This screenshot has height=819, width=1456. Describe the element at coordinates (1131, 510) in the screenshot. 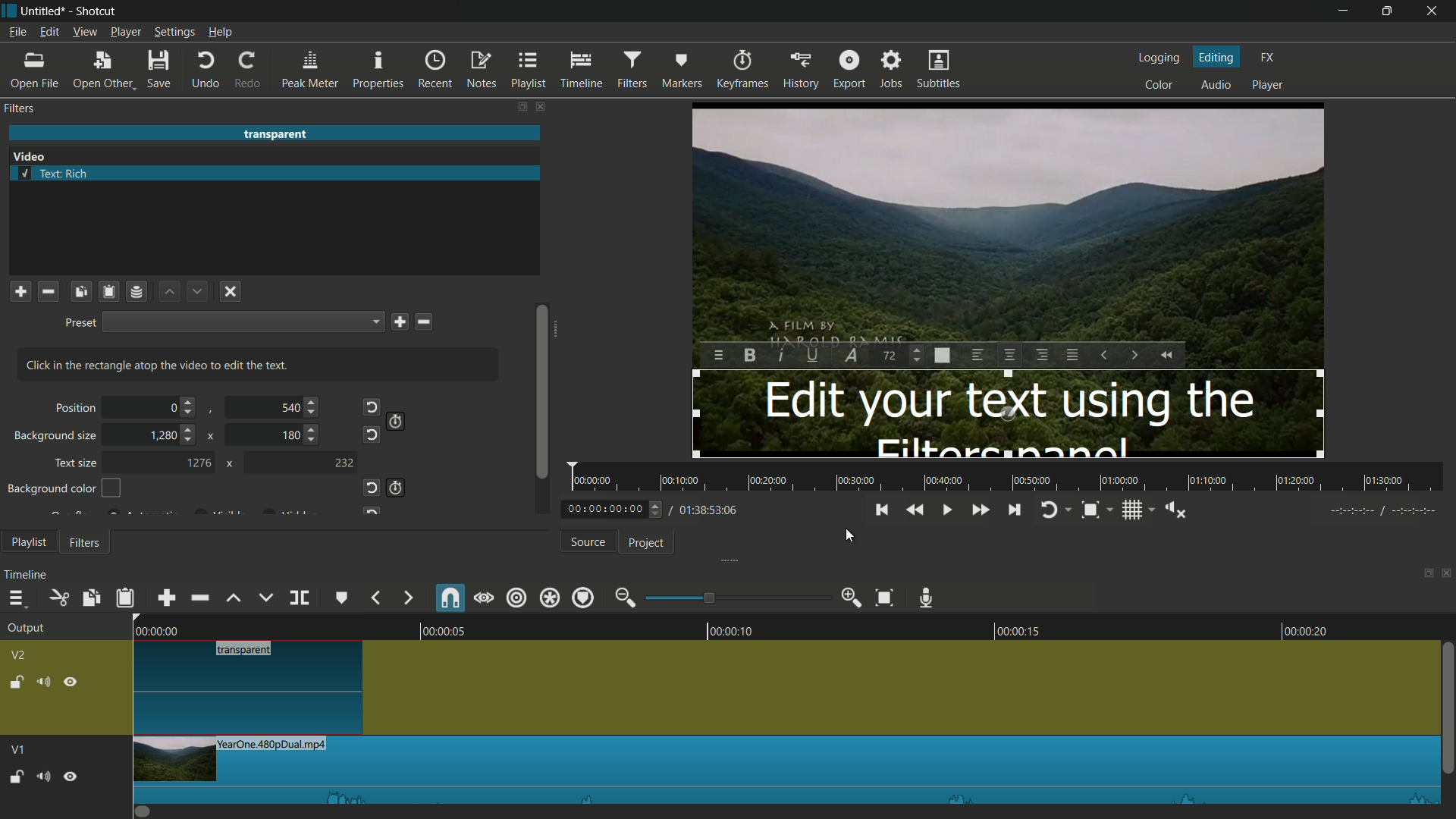

I see `toggle grid` at that location.